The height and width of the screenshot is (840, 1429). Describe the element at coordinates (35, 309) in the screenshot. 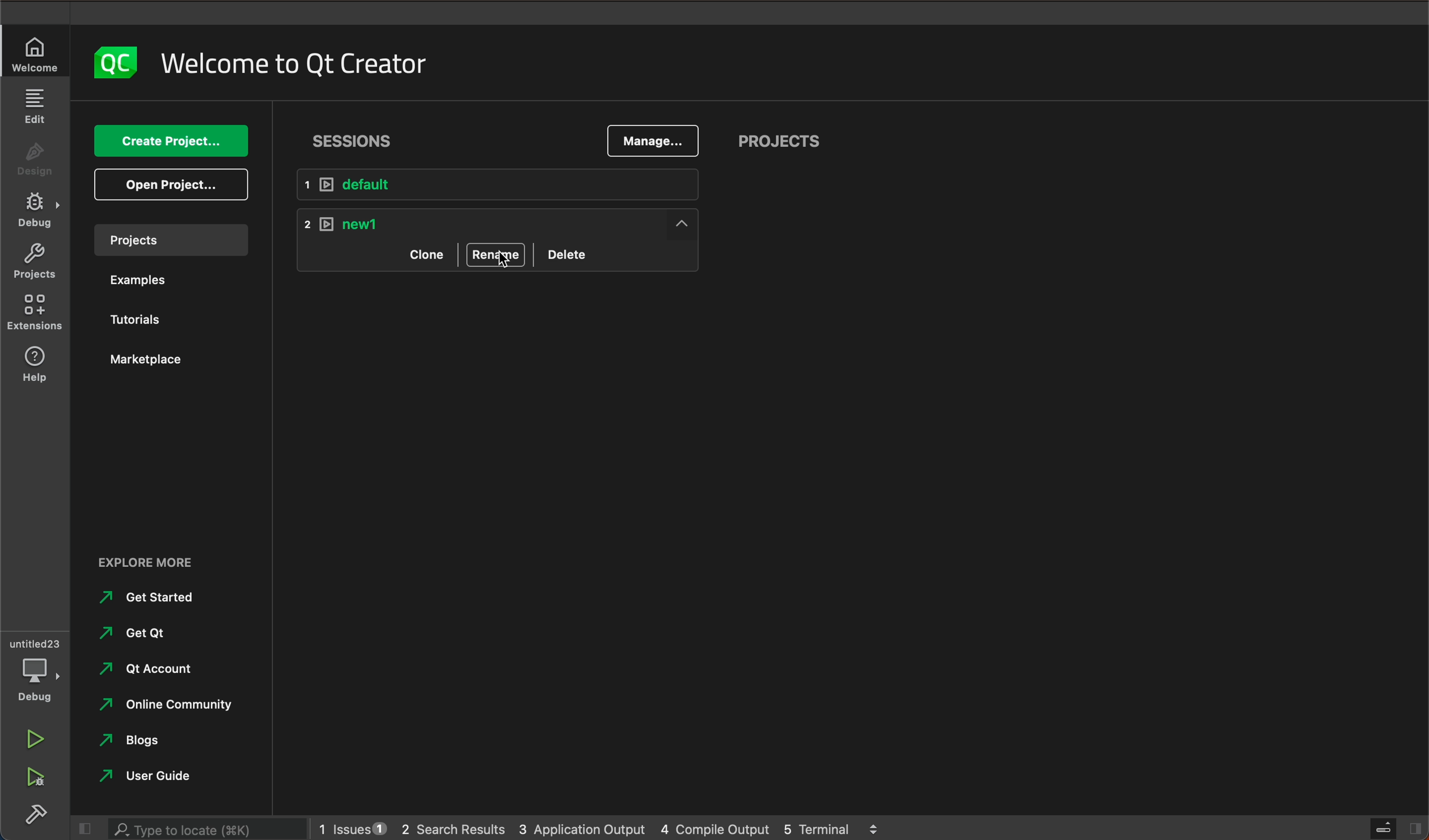

I see `extension` at that location.